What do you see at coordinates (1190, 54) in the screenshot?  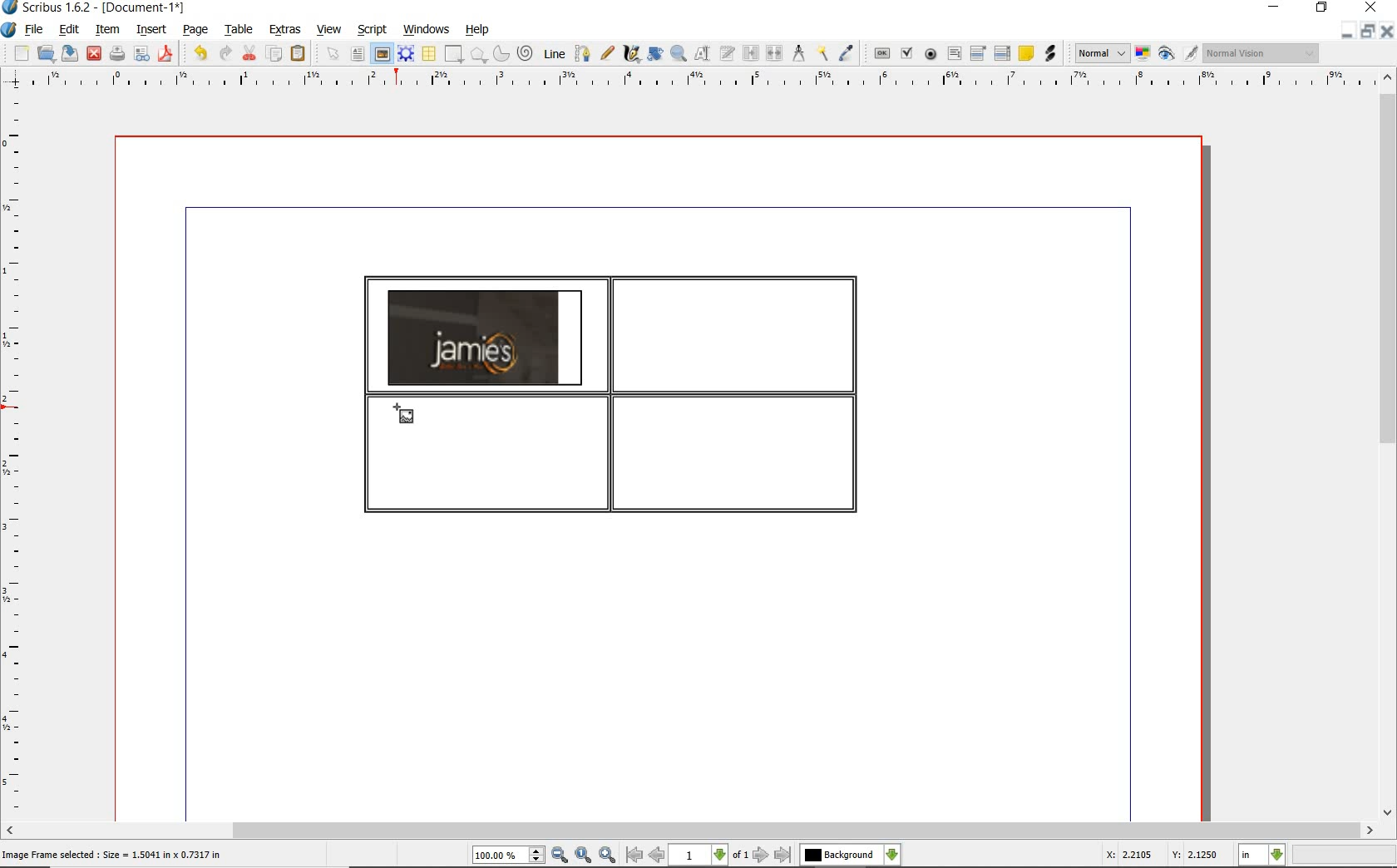 I see `edit in preview mode` at bounding box center [1190, 54].